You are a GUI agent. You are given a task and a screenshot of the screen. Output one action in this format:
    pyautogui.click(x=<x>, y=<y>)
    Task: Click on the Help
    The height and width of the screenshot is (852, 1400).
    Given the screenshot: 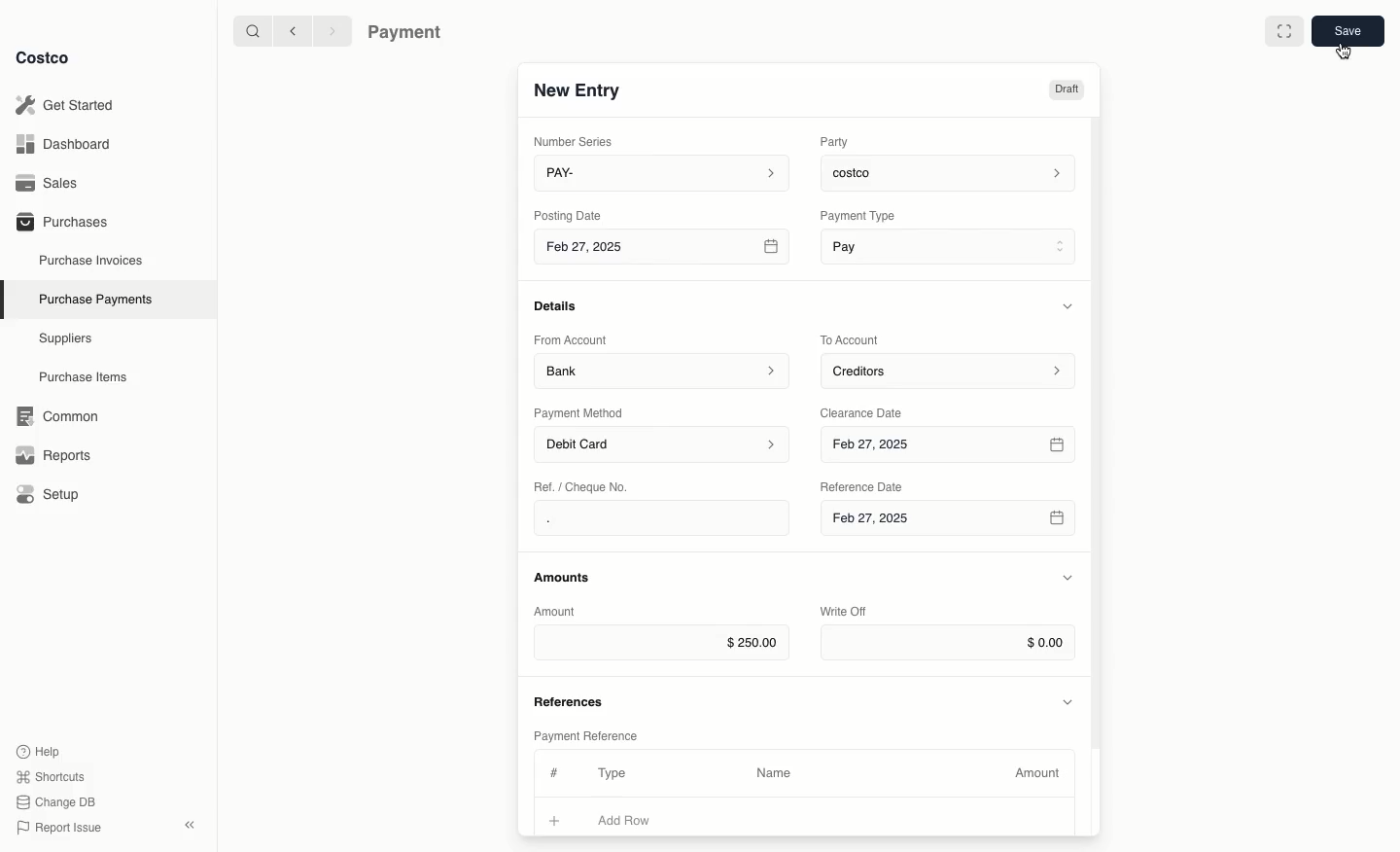 What is the action you would take?
    pyautogui.click(x=38, y=750)
    